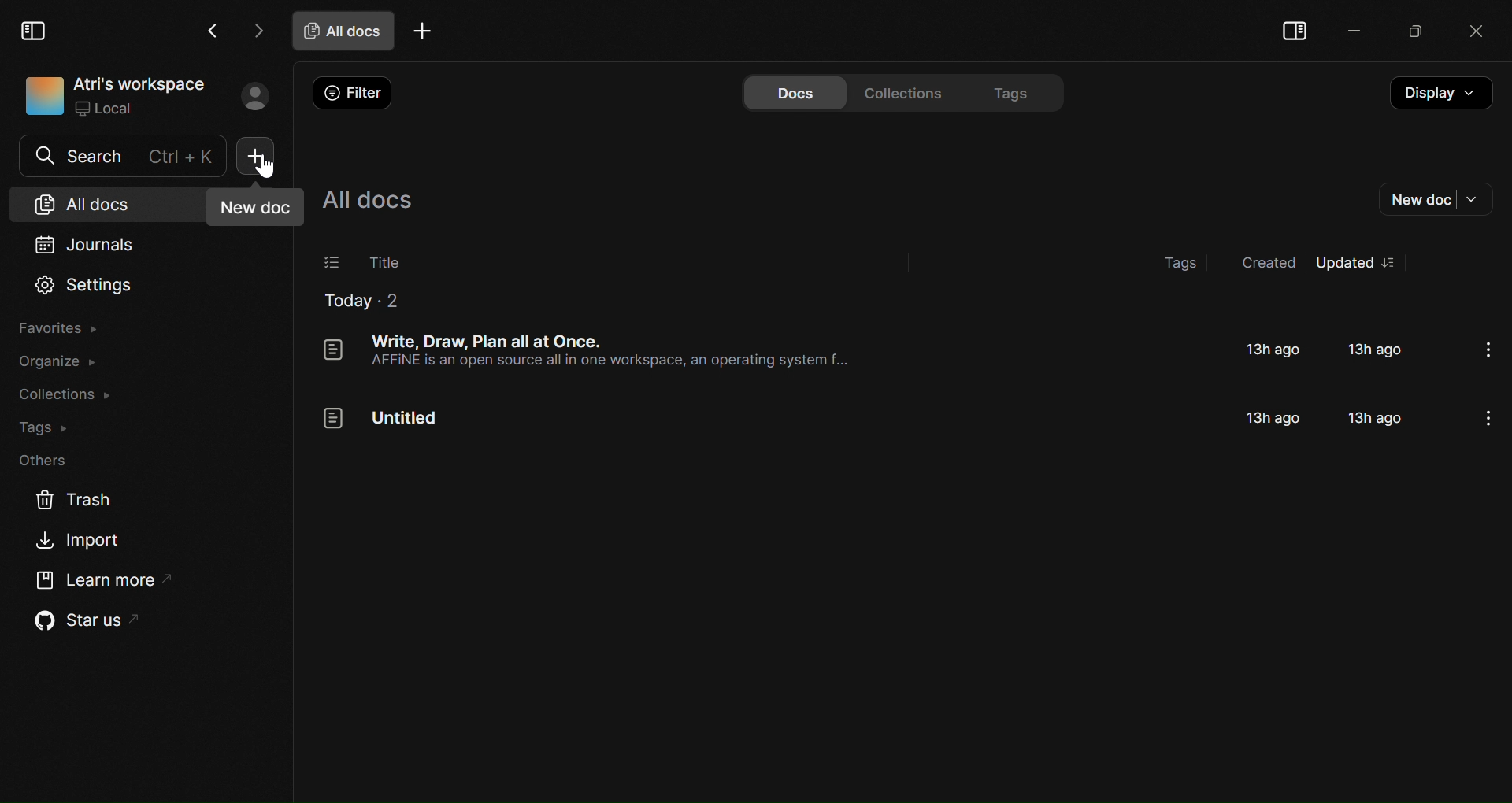 The width and height of the screenshot is (1512, 803). Describe the element at coordinates (366, 200) in the screenshot. I see `All docs` at that location.